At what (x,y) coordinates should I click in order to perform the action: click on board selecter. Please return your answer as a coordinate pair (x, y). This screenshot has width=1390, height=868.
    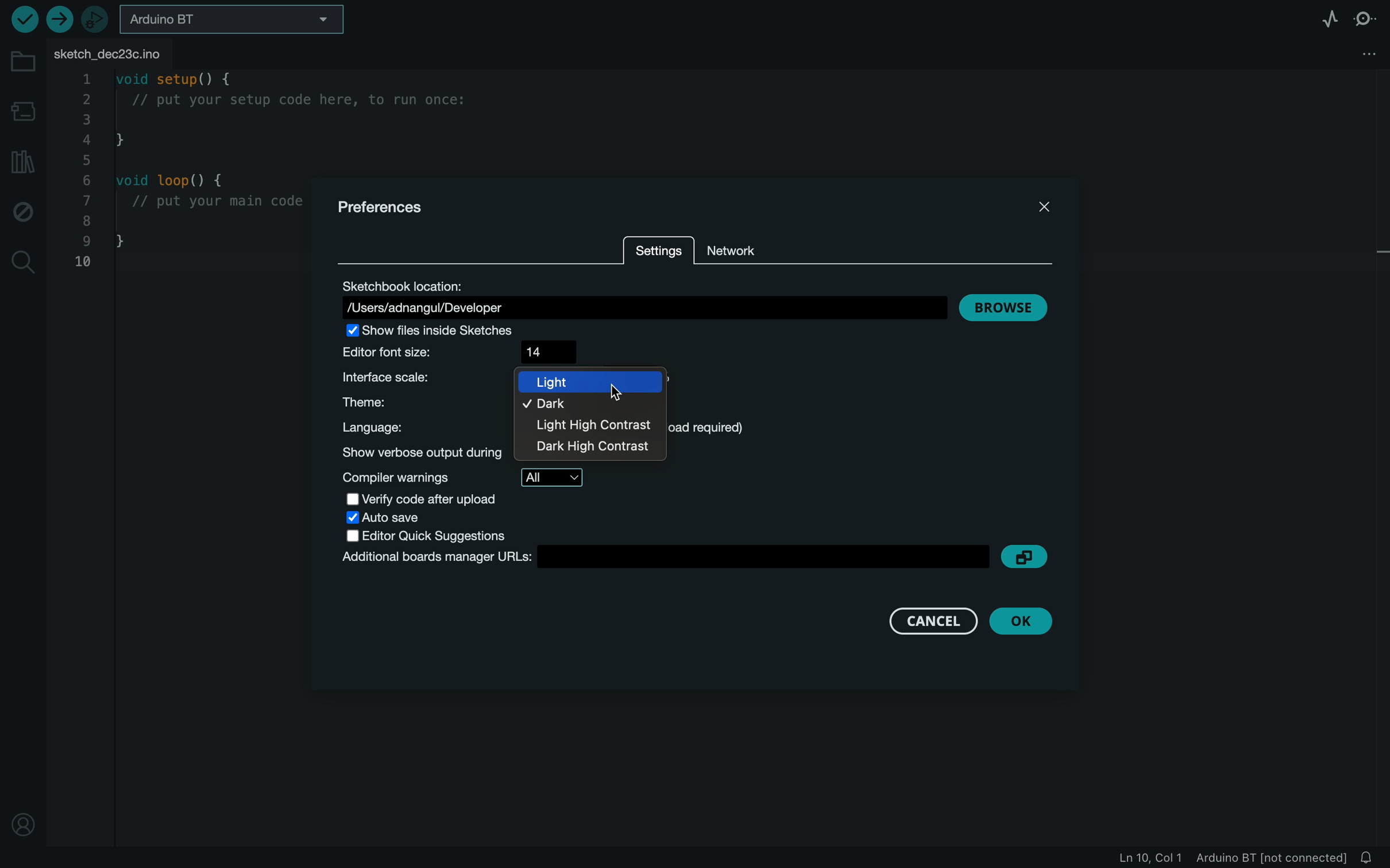
    Looking at the image, I should click on (233, 19).